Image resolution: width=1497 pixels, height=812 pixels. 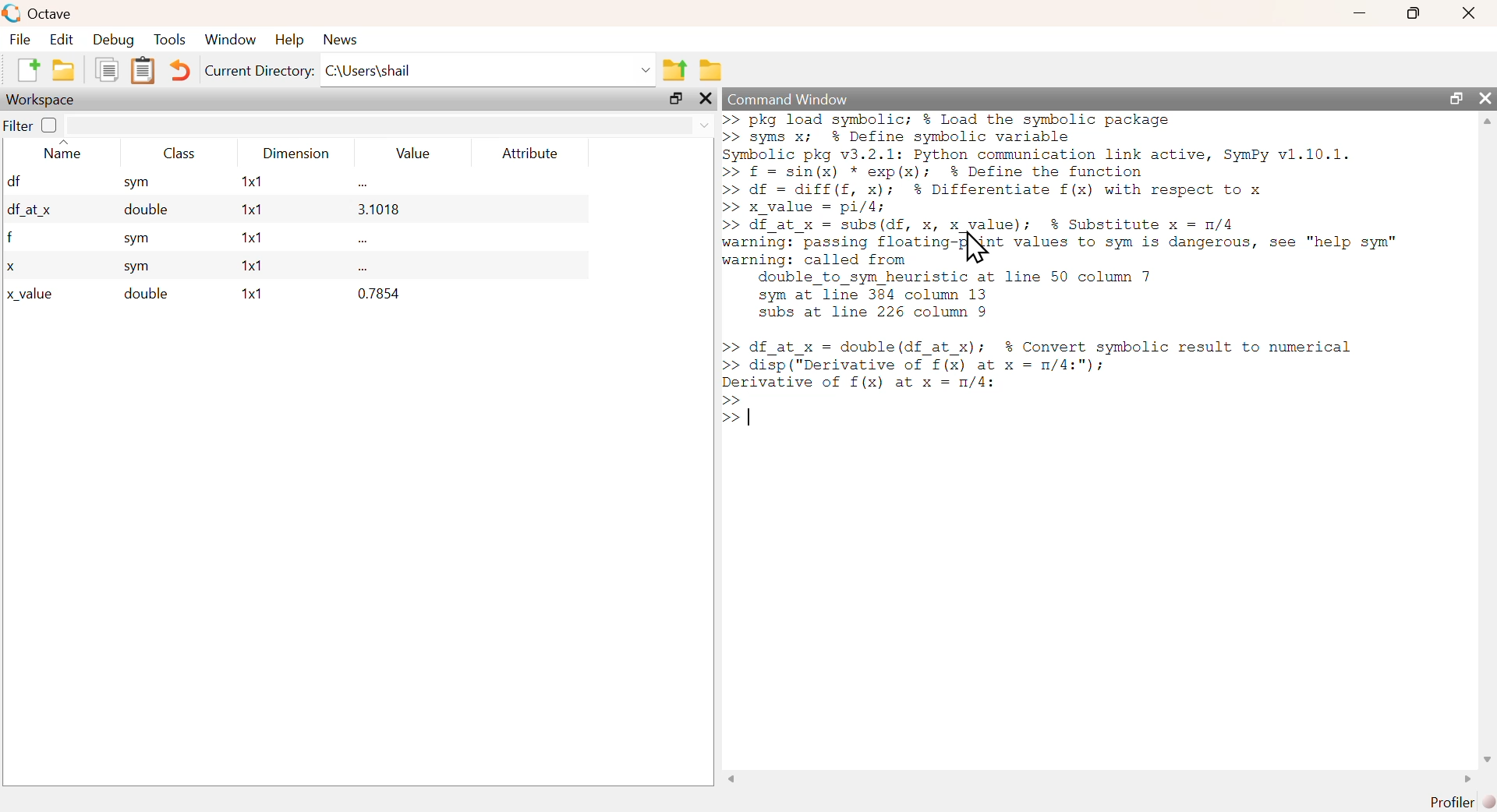 I want to click on maximize, so click(x=1413, y=14).